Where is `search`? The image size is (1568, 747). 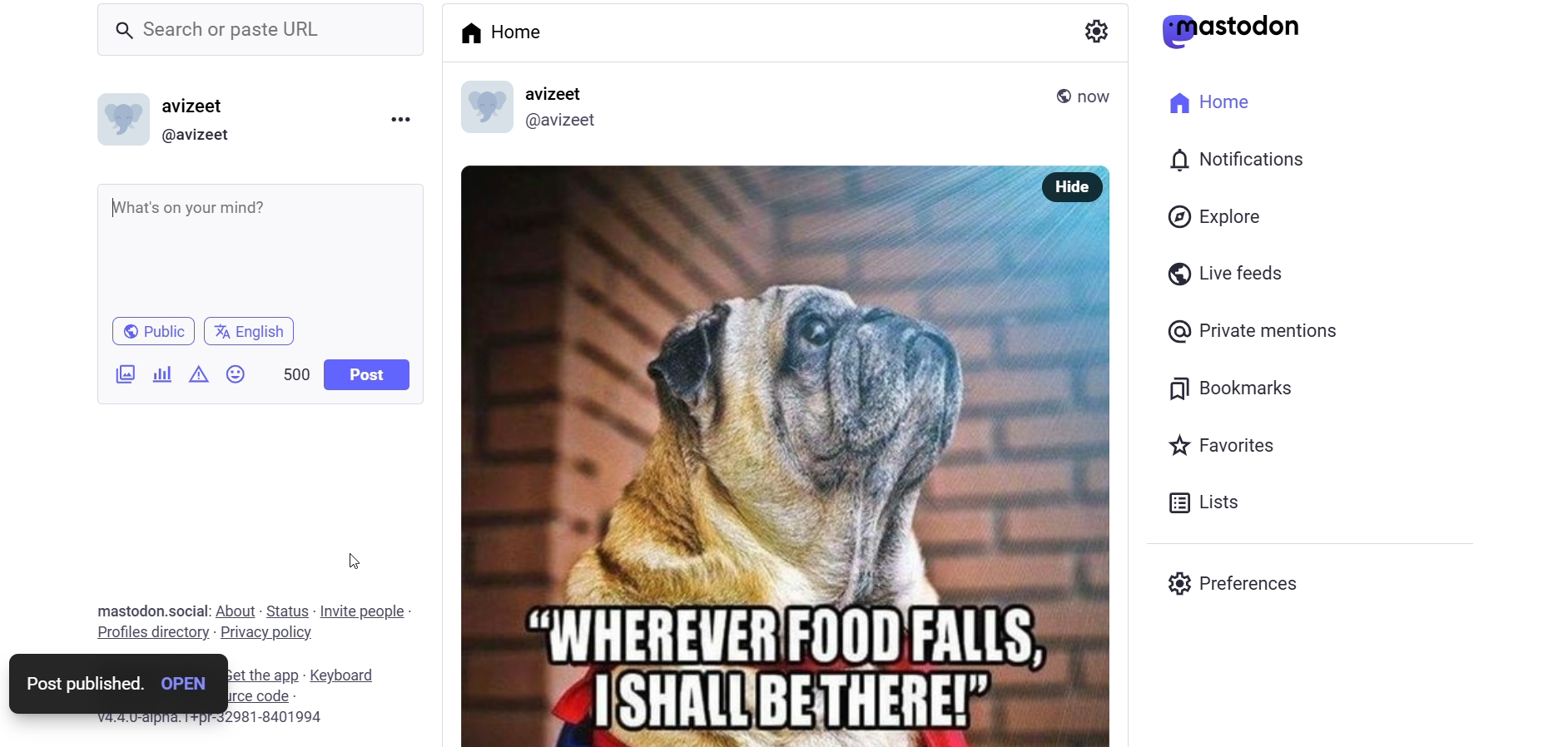 search is located at coordinates (256, 27).